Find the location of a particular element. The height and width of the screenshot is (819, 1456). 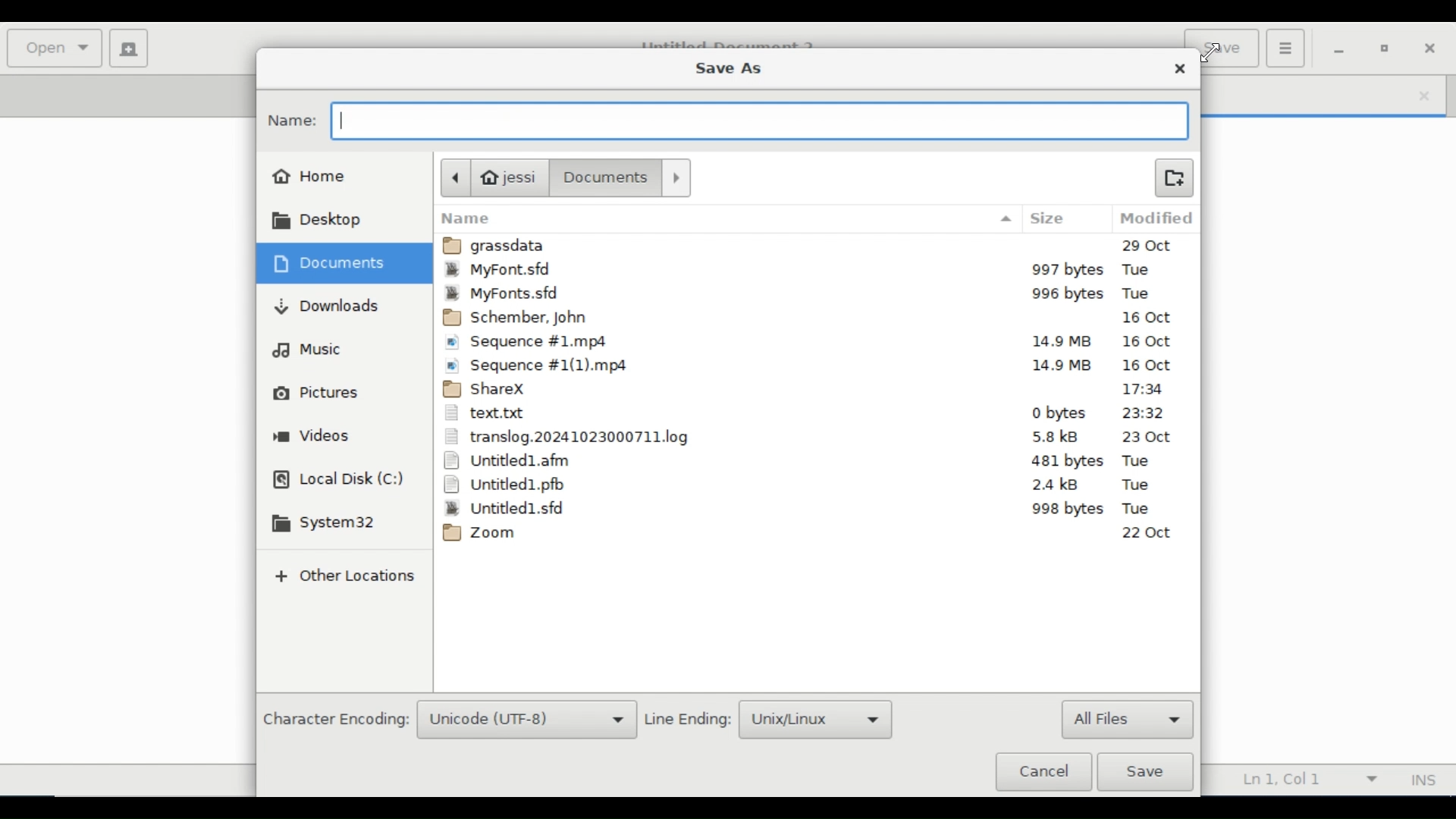

Untitled1.afm 481bytes Tue is located at coordinates (812, 461).